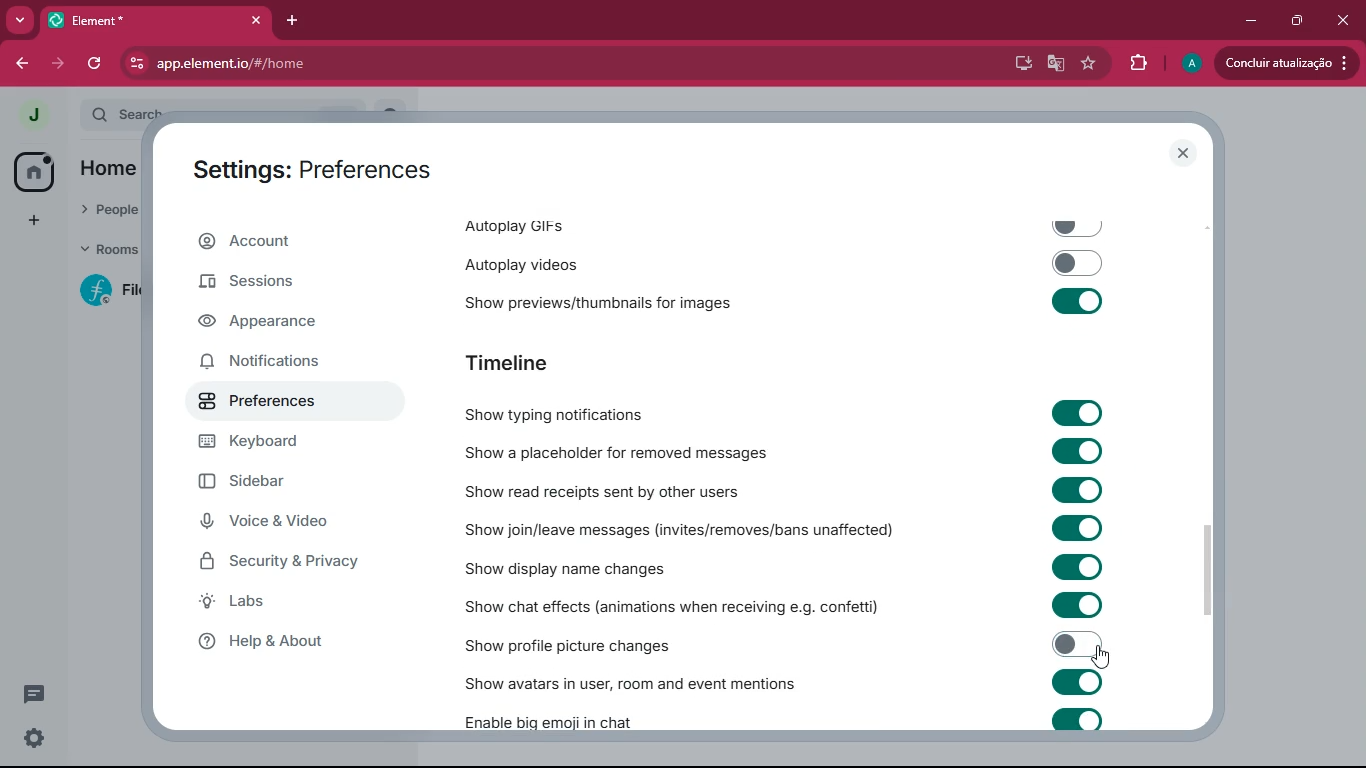  What do you see at coordinates (785, 605) in the screenshot?
I see `Show chat effects (animations when receiving e.g. confetti) ` at bounding box center [785, 605].